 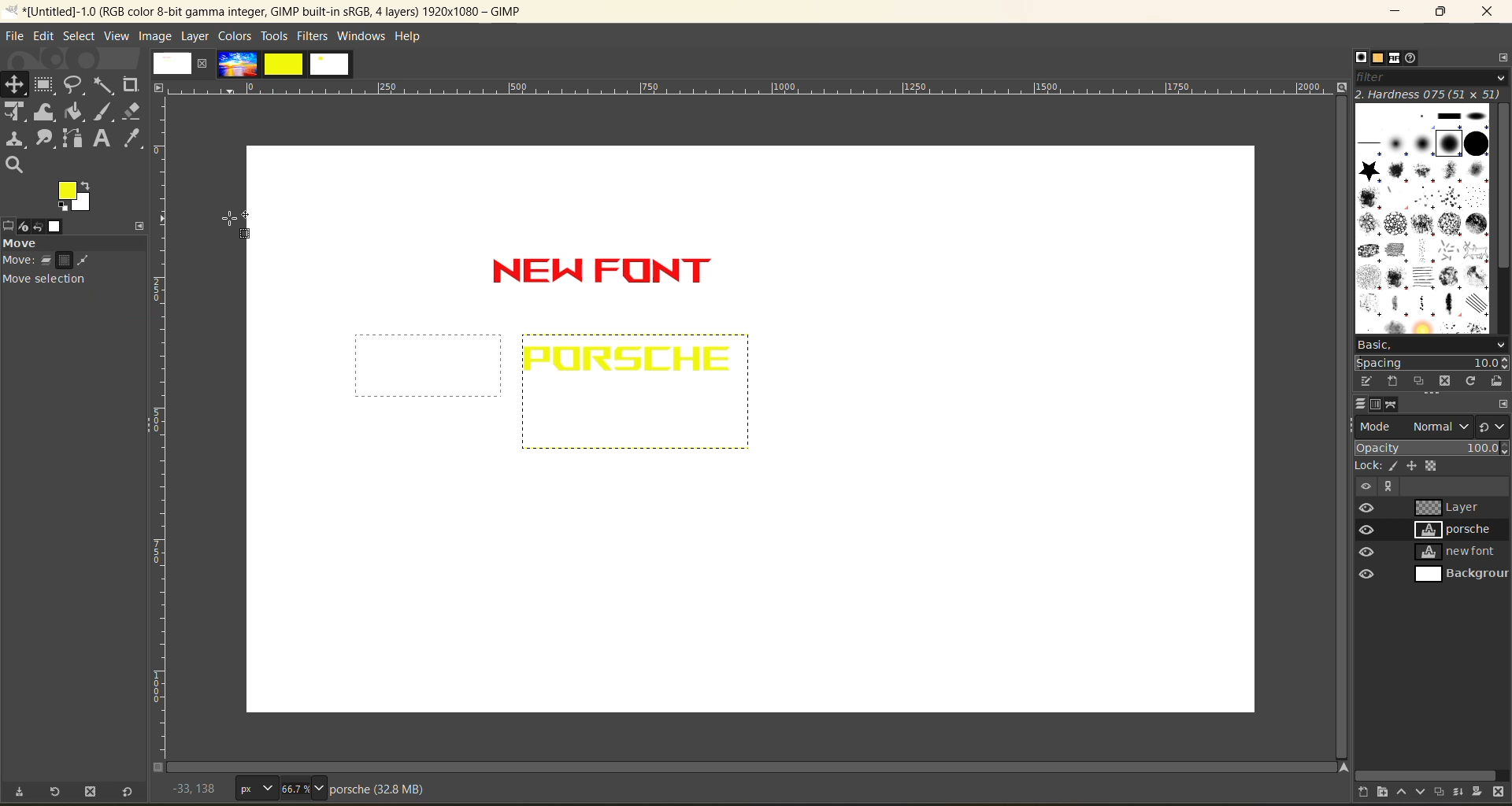 What do you see at coordinates (1351, 57) in the screenshot?
I see `brushes` at bounding box center [1351, 57].